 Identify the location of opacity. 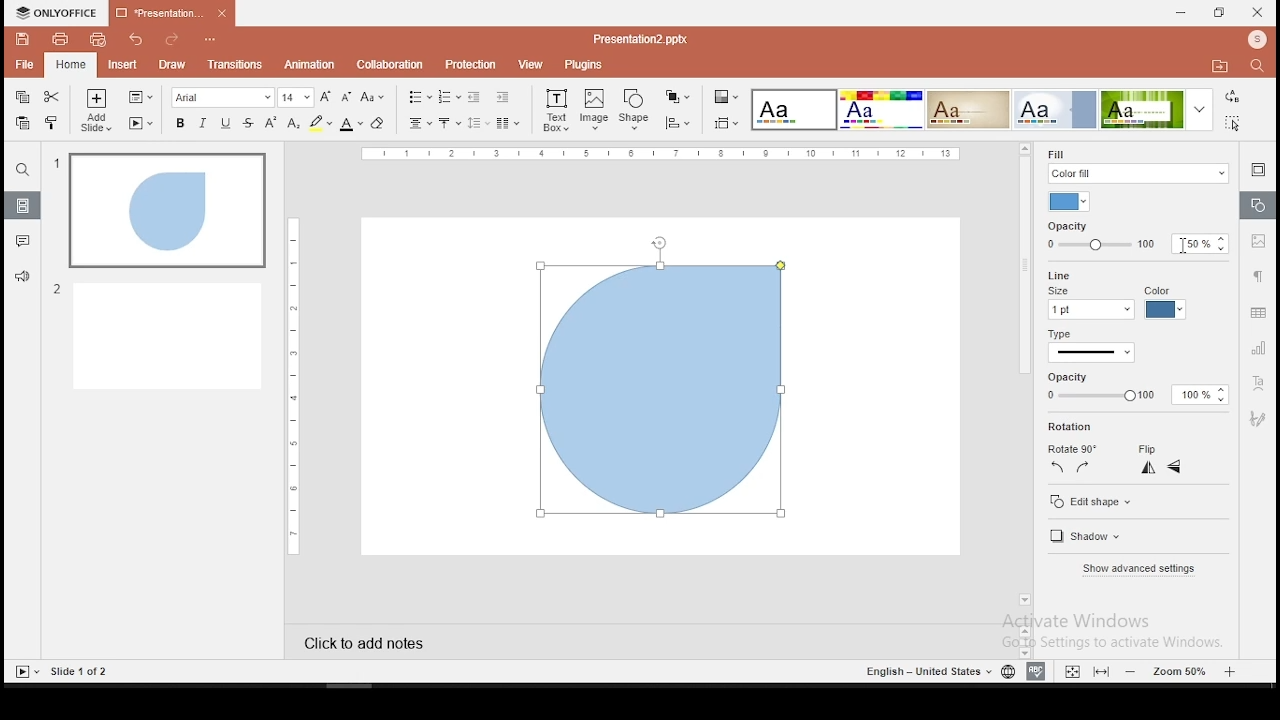
(1136, 236).